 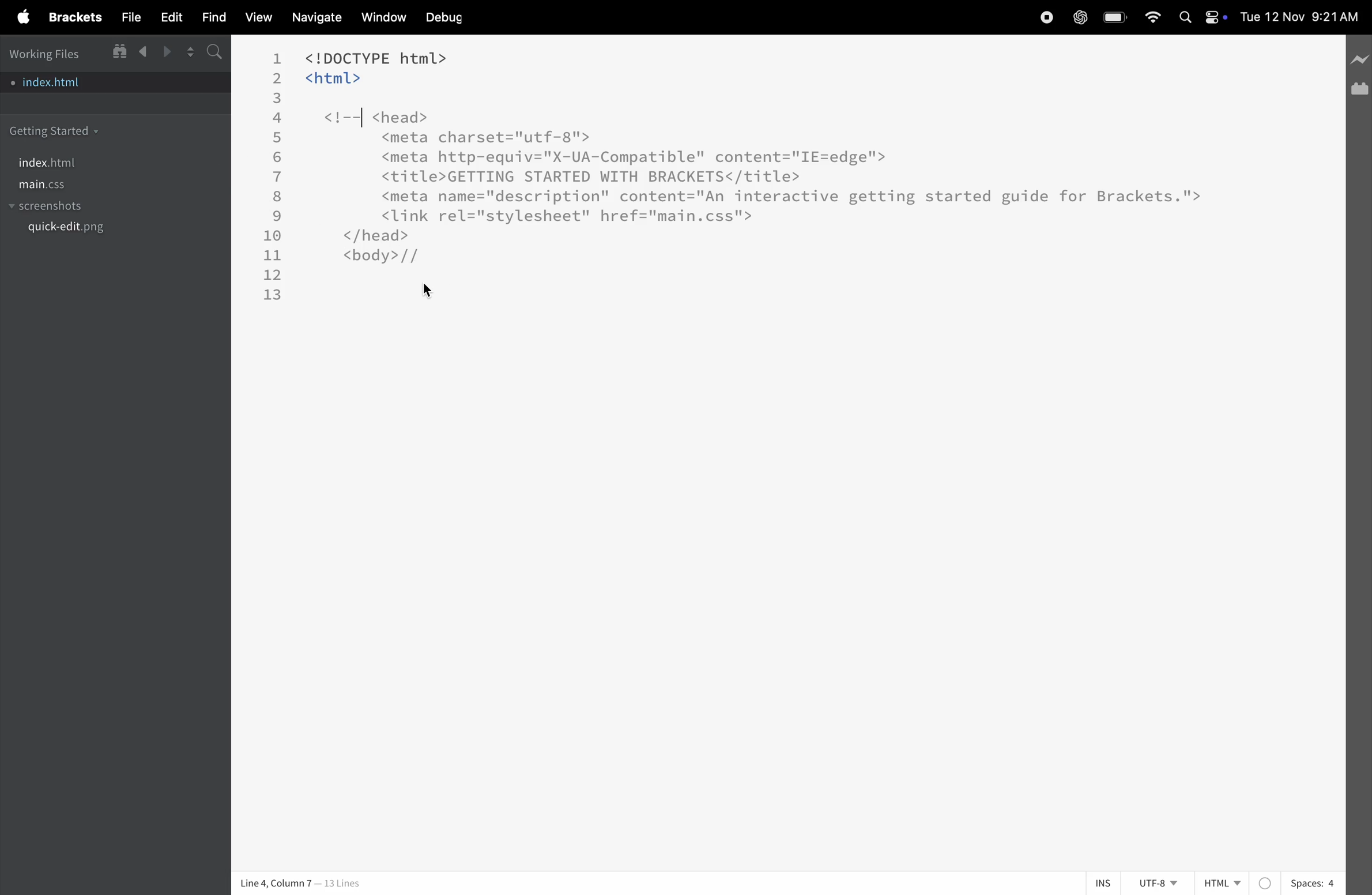 I want to click on apple menu, so click(x=20, y=17).